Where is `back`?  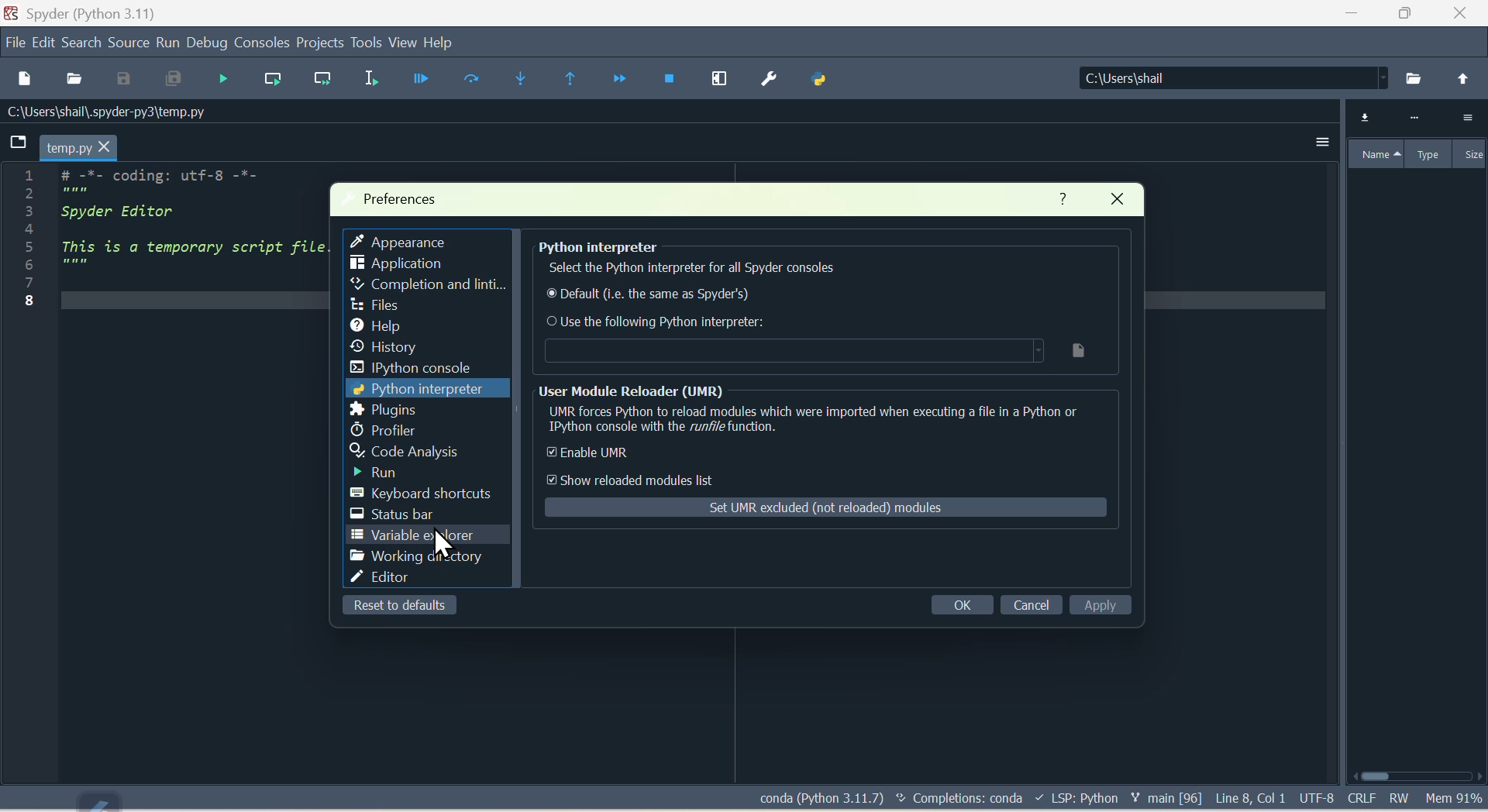 back is located at coordinates (1463, 78).